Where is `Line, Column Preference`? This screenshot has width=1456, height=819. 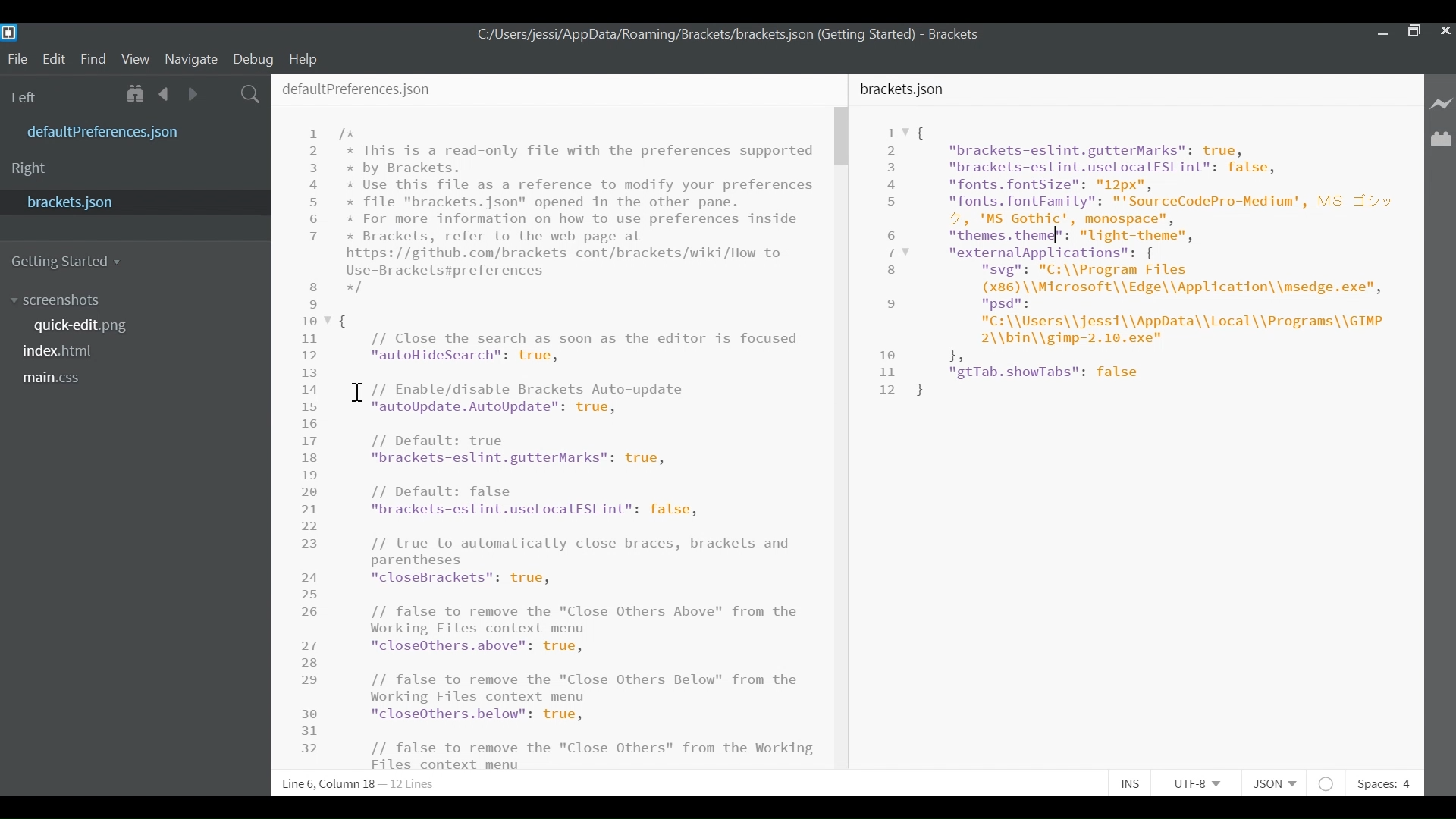 Line, Column Preference is located at coordinates (356, 784).